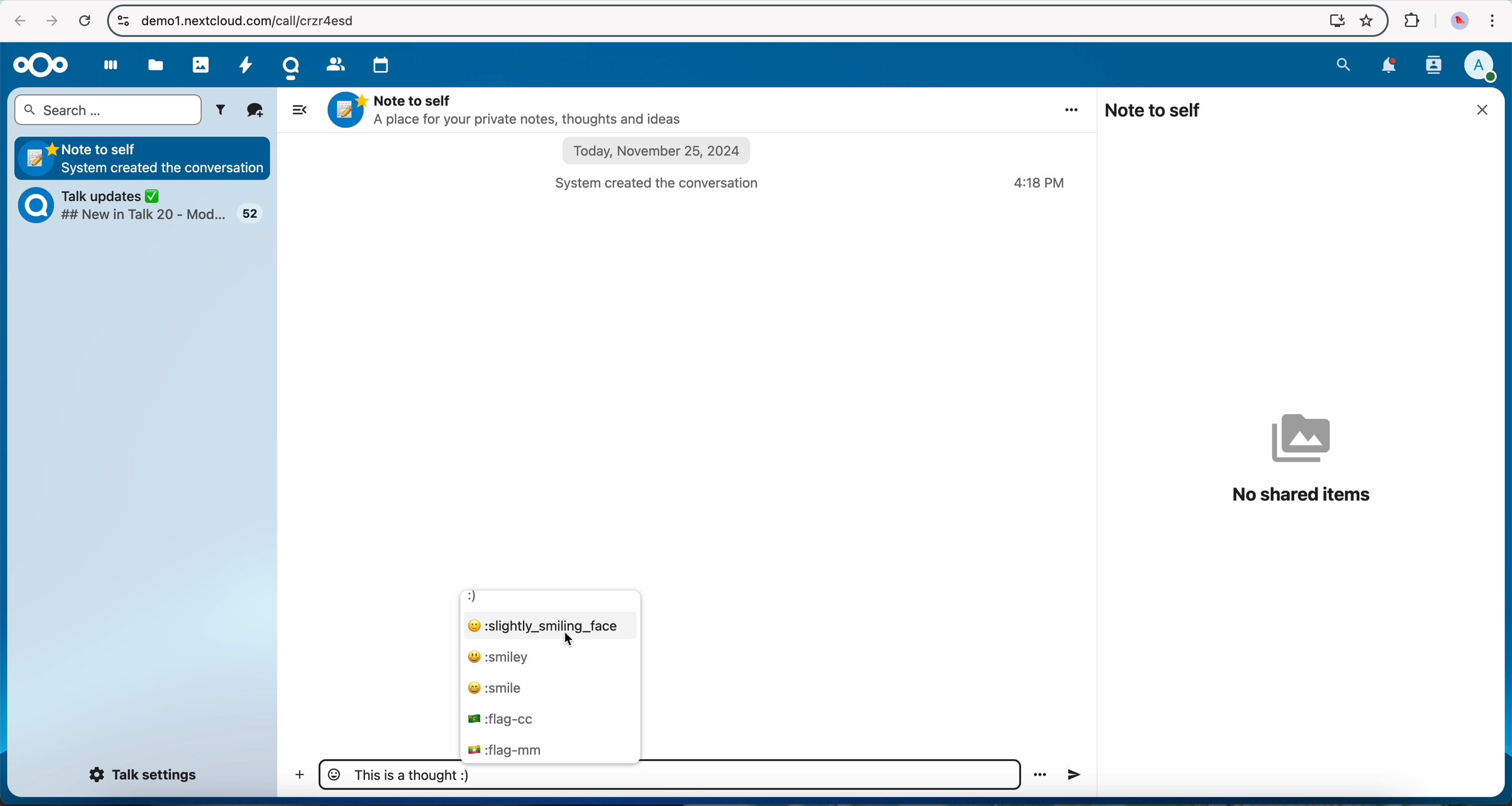  What do you see at coordinates (261, 20) in the screenshot?
I see `URL` at bounding box center [261, 20].